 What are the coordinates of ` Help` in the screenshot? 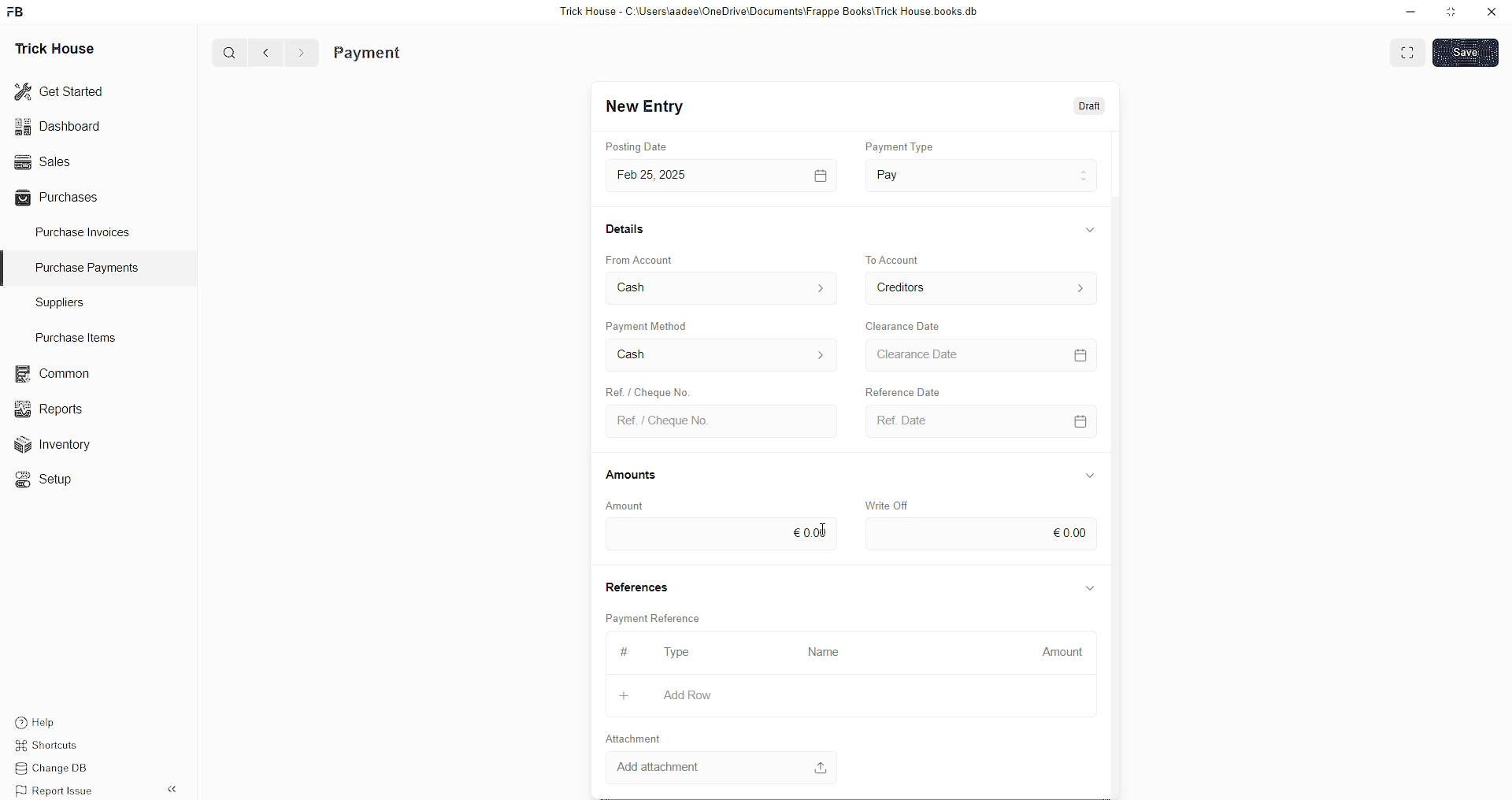 It's located at (59, 720).